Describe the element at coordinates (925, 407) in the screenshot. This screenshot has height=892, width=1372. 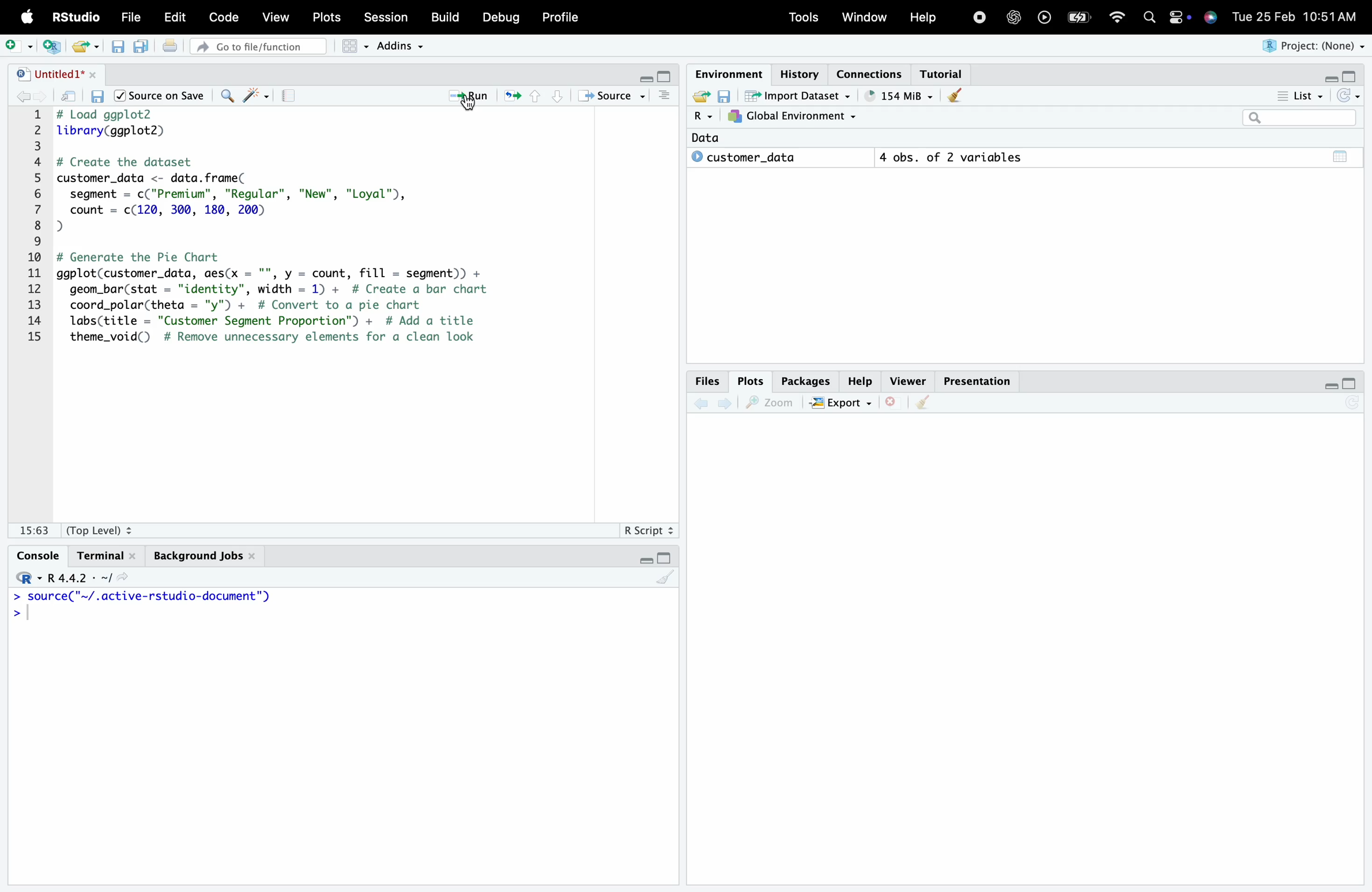
I see `clear` at that location.